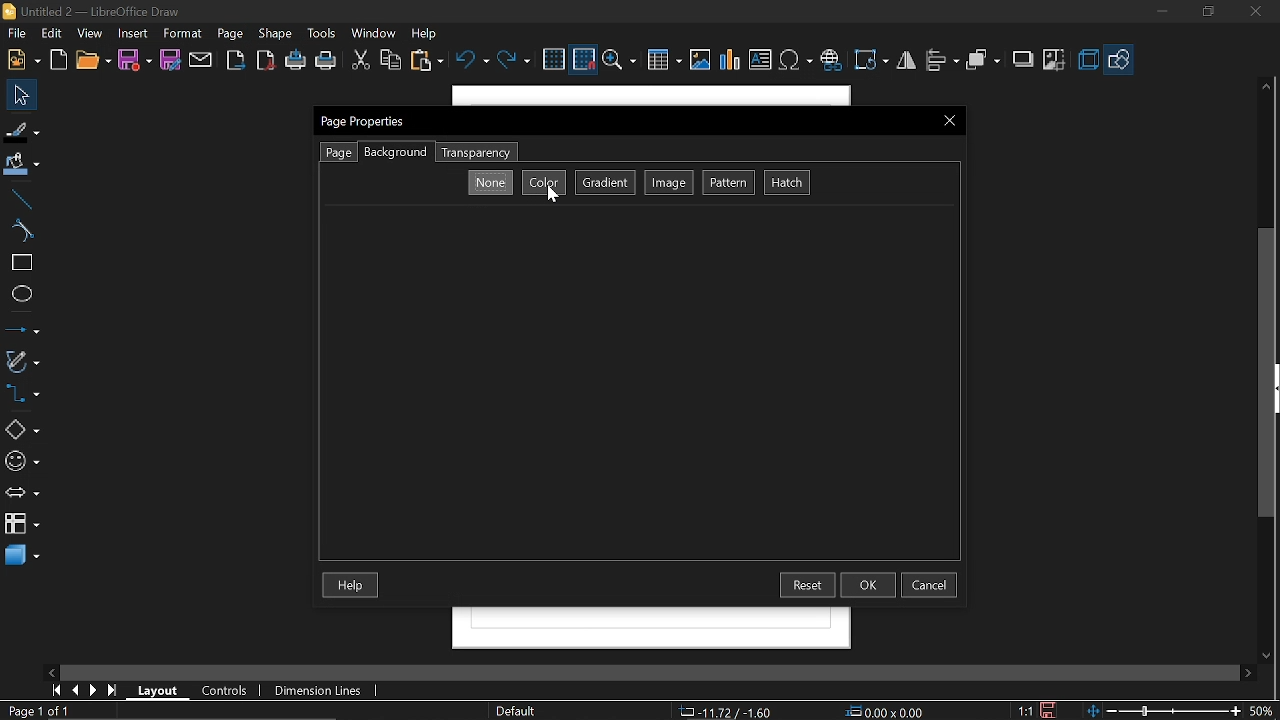 The width and height of the screenshot is (1280, 720). I want to click on Symbol shapes, so click(22, 462).